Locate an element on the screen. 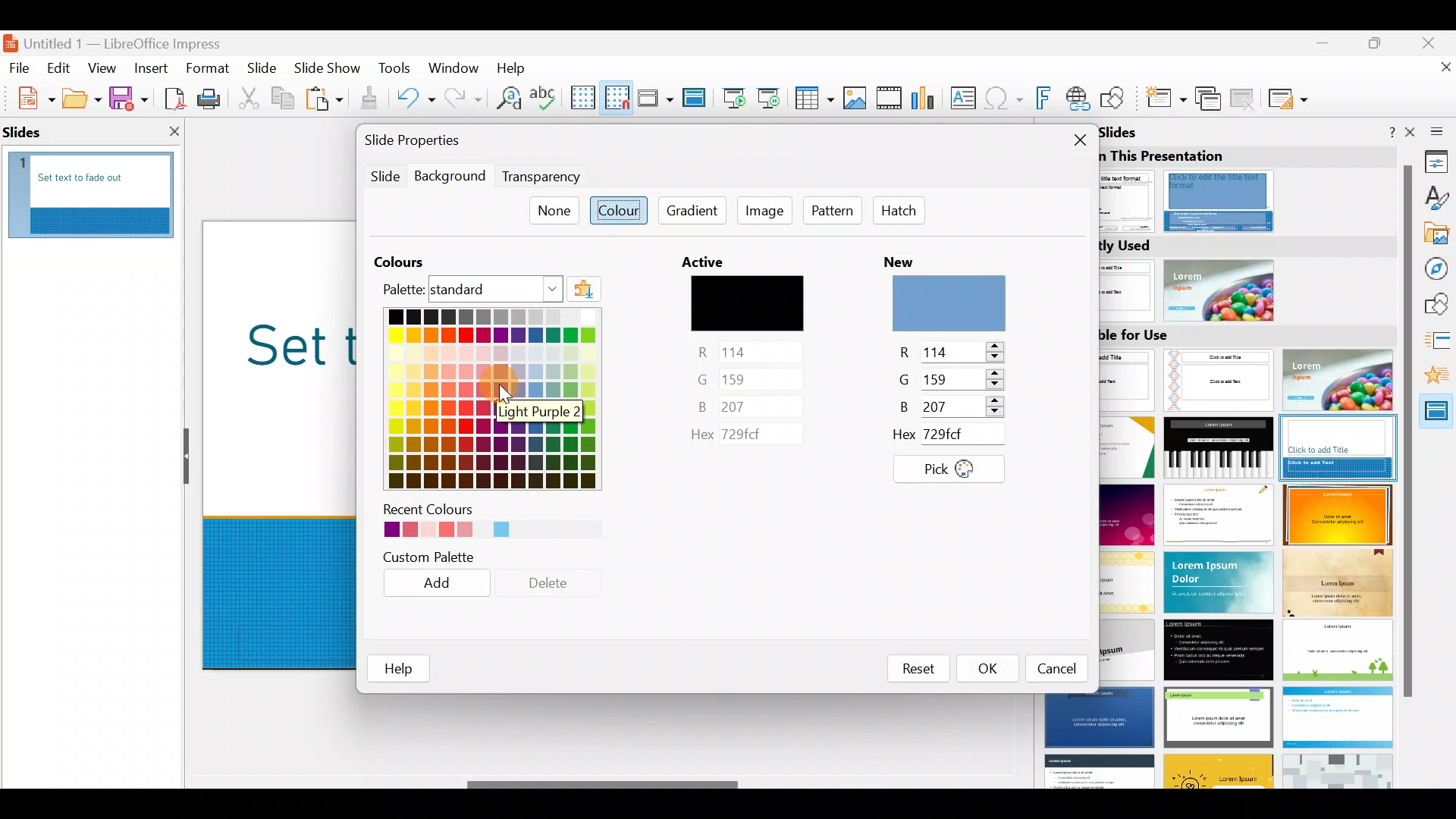  Shapes is located at coordinates (1438, 305).